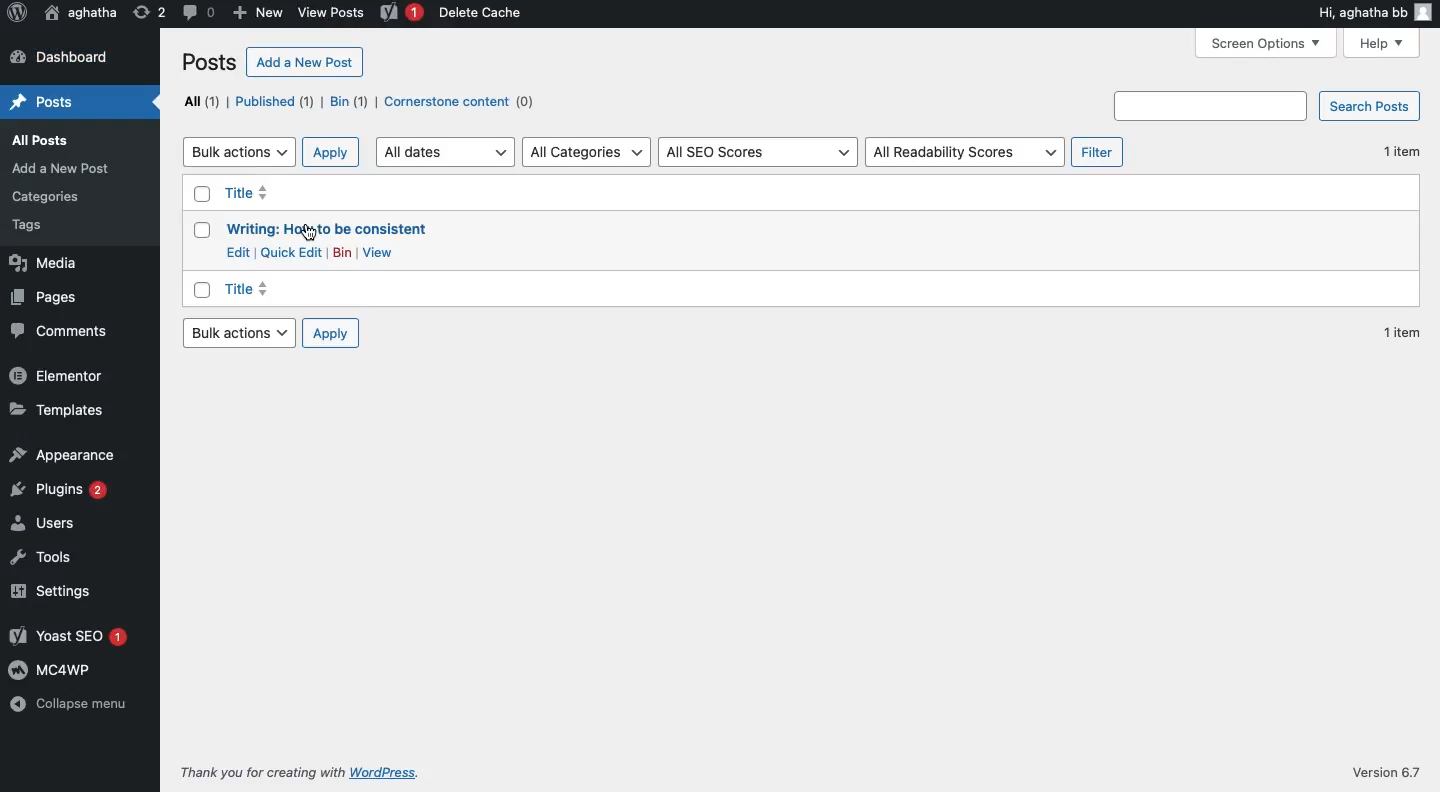 The width and height of the screenshot is (1440, 792). I want to click on Comments, so click(59, 329).